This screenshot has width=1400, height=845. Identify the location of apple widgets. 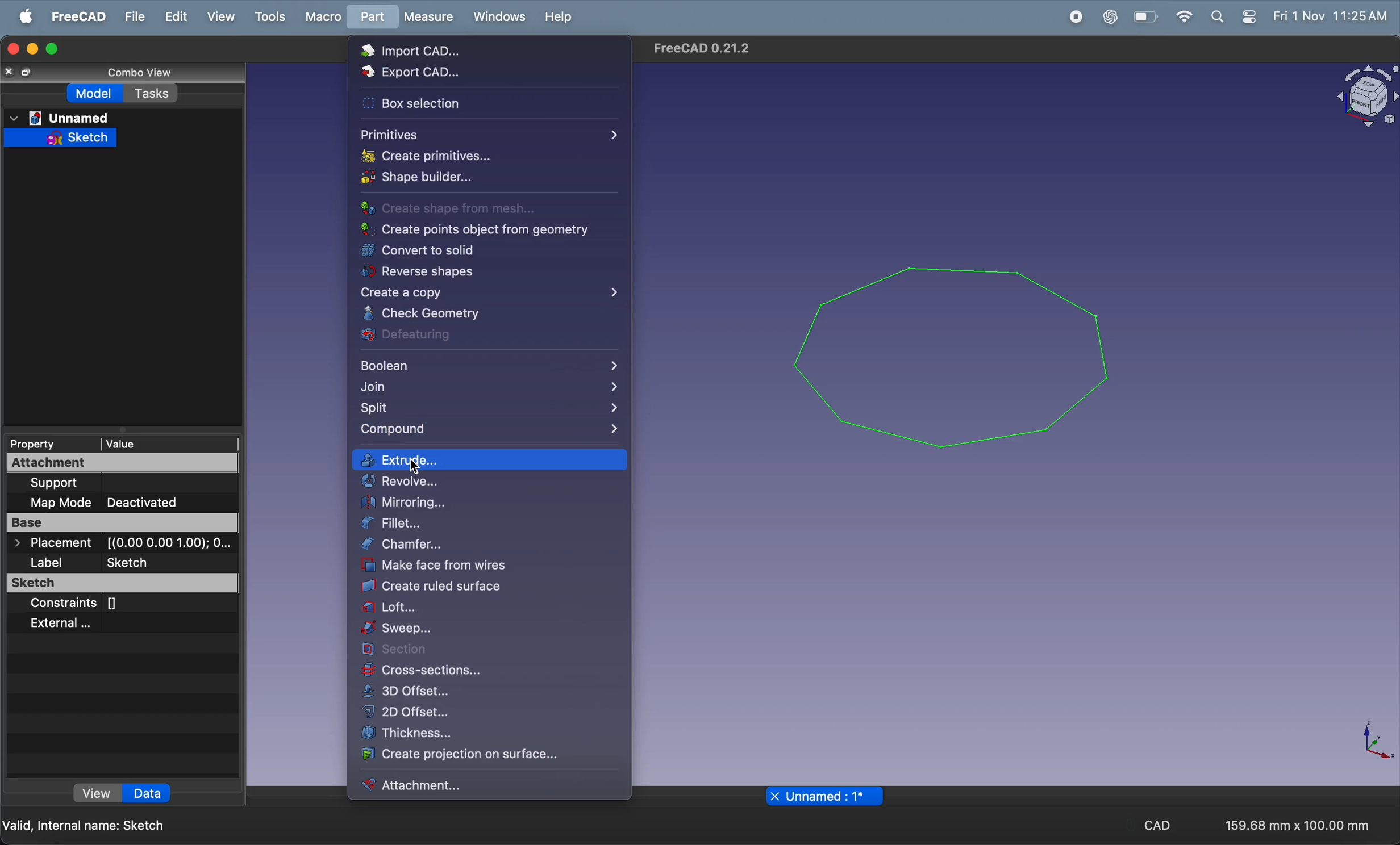
(1249, 16).